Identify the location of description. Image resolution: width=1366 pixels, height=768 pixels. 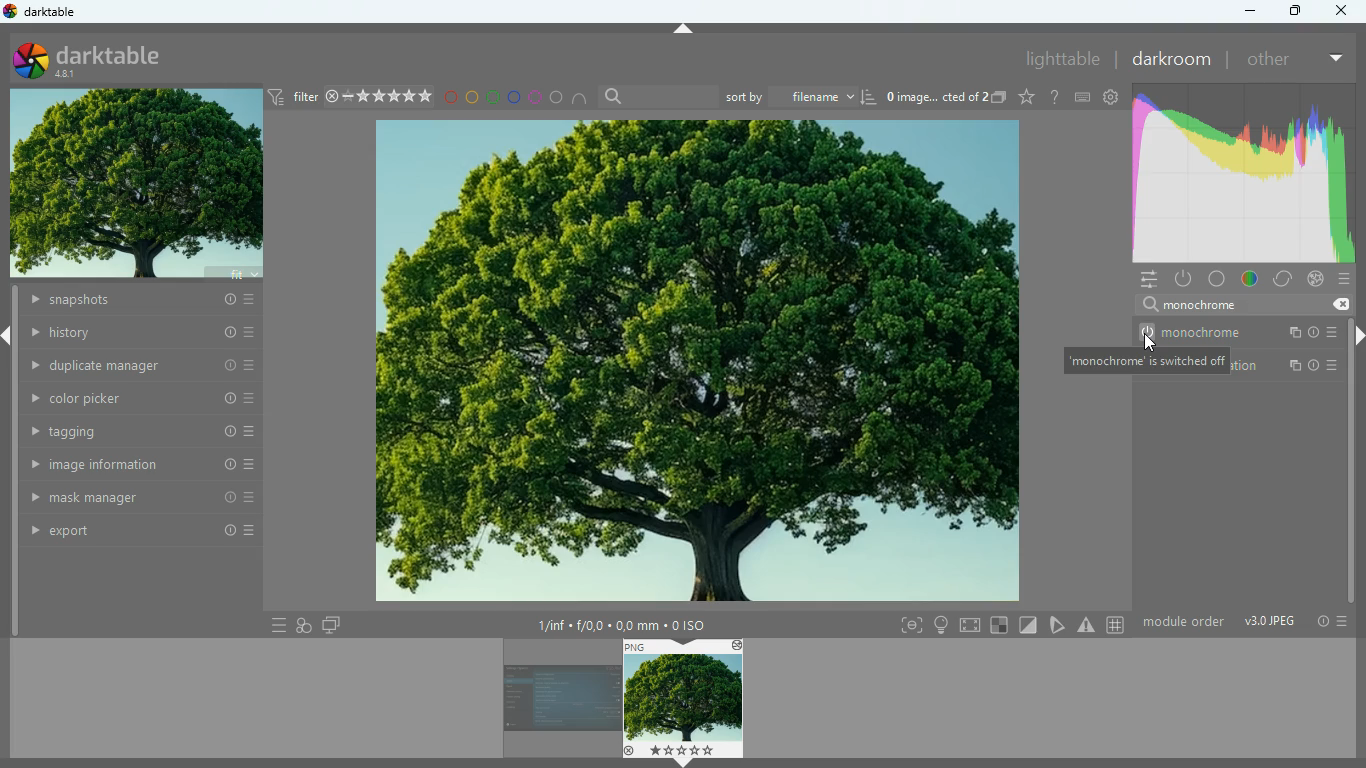
(1149, 362).